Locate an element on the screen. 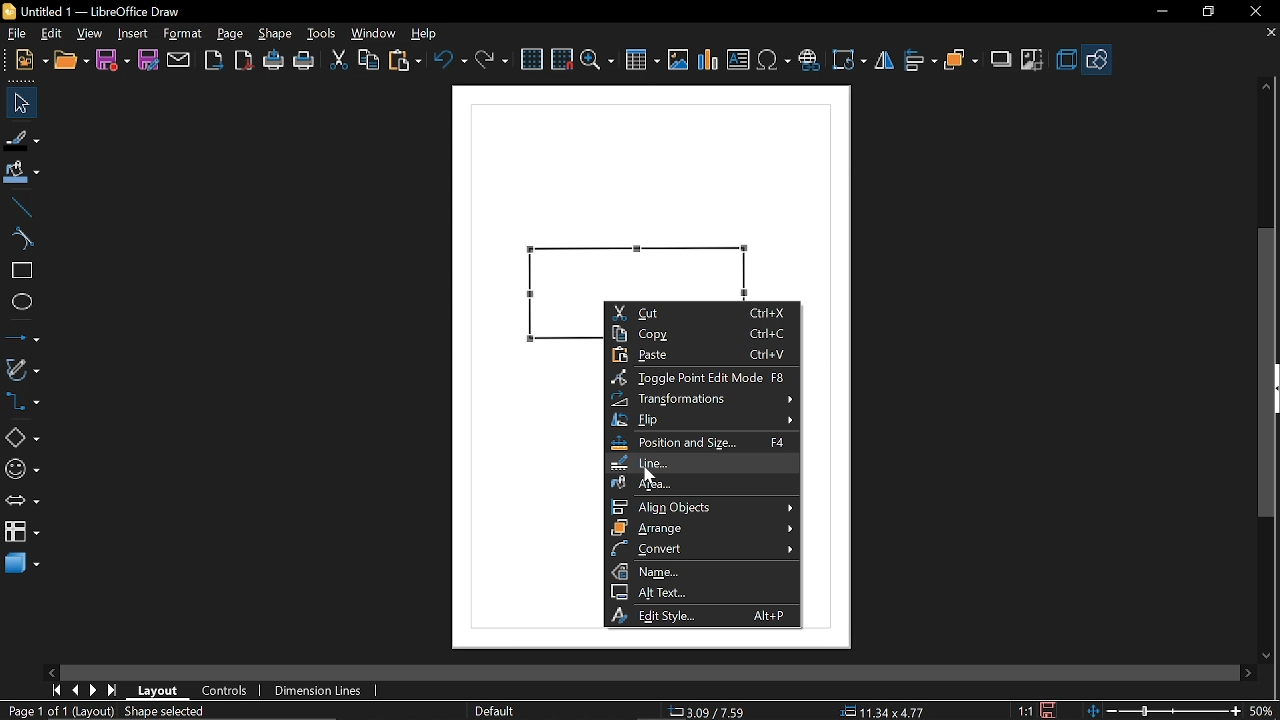 This screenshot has width=1280, height=720. zoom is located at coordinates (598, 60).